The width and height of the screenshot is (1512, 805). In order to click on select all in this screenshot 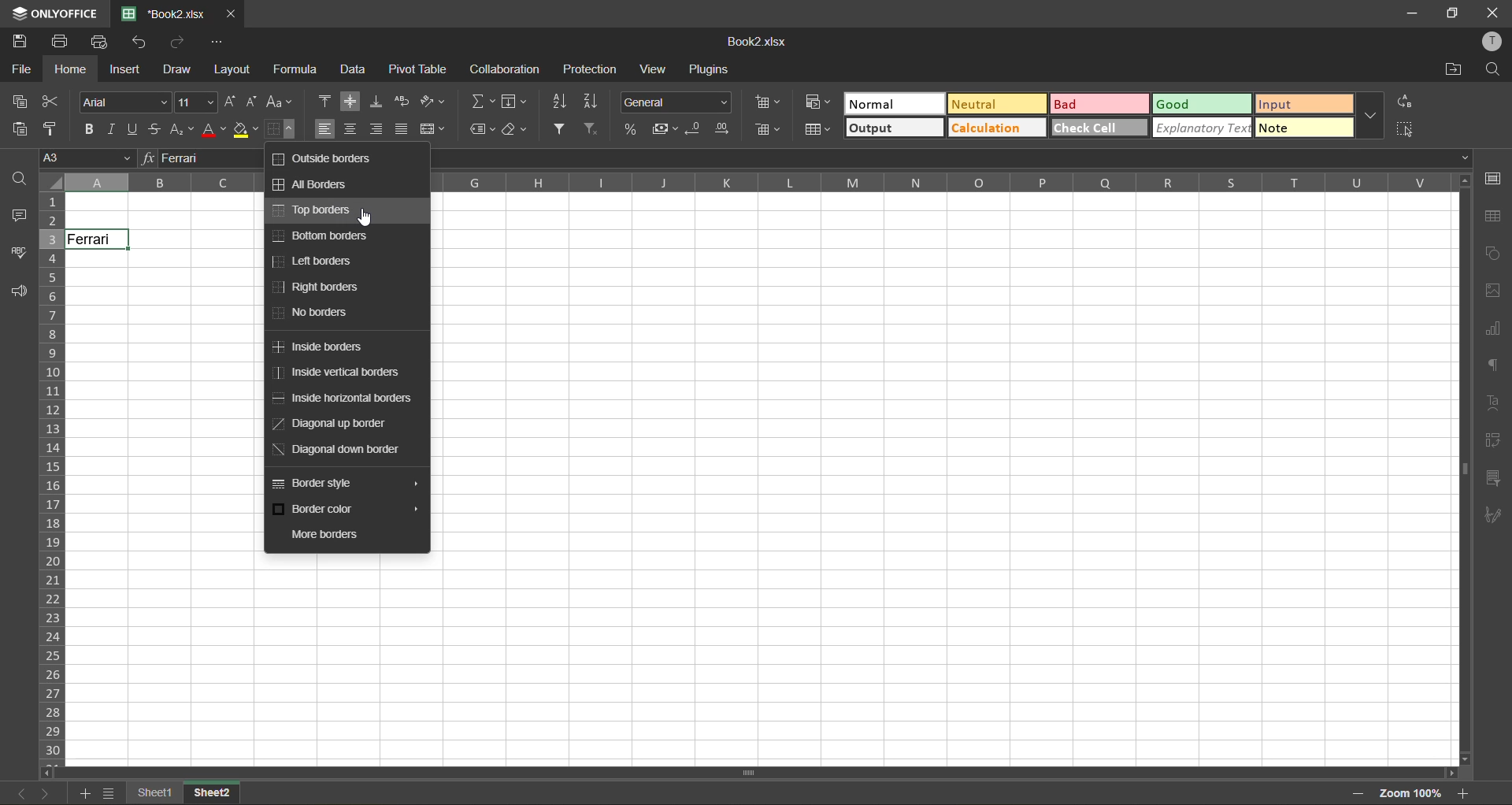, I will do `click(1408, 129)`.